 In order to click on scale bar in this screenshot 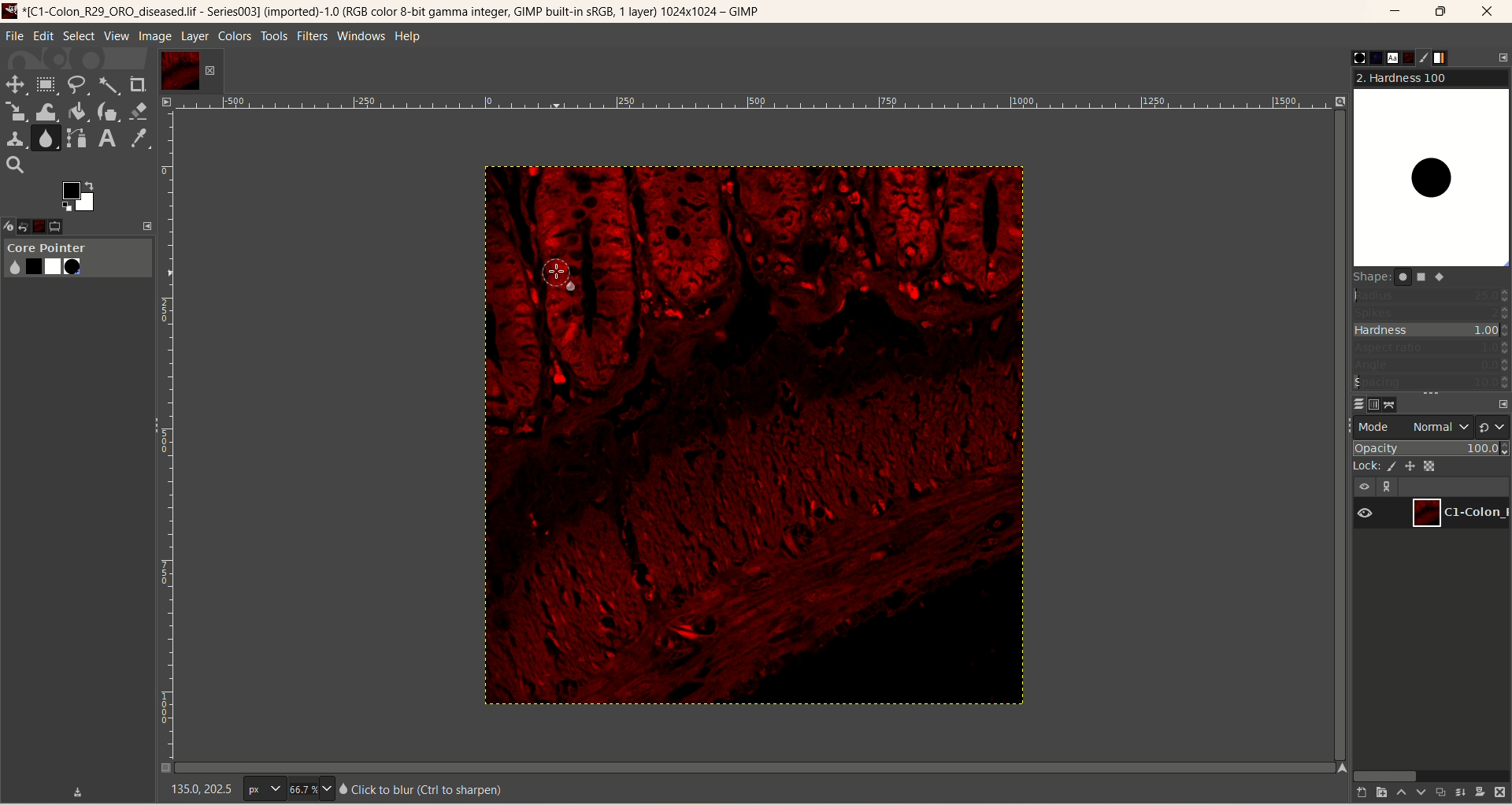, I will do `click(754, 105)`.